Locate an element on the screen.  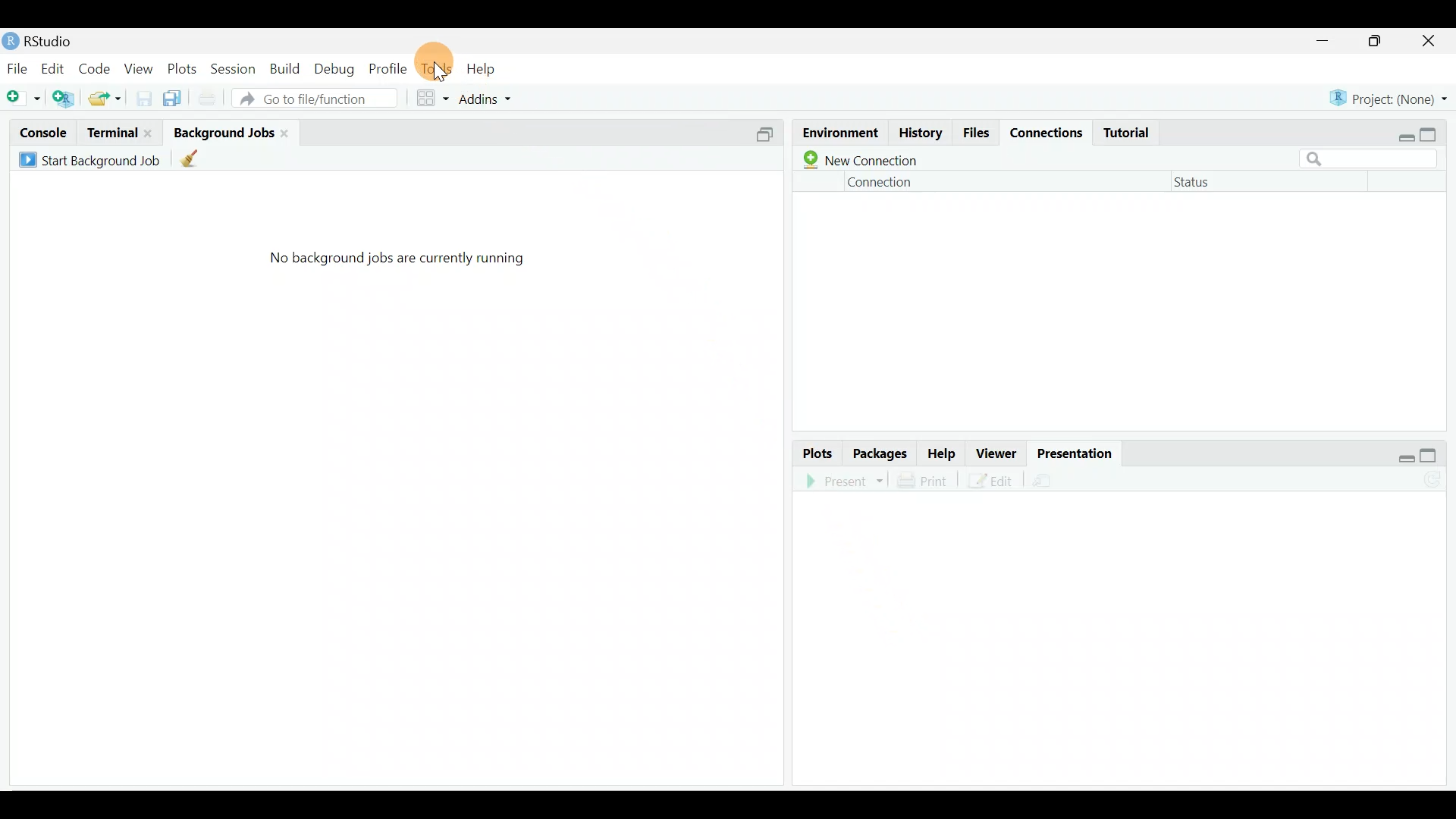
Packages is located at coordinates (881, 453).